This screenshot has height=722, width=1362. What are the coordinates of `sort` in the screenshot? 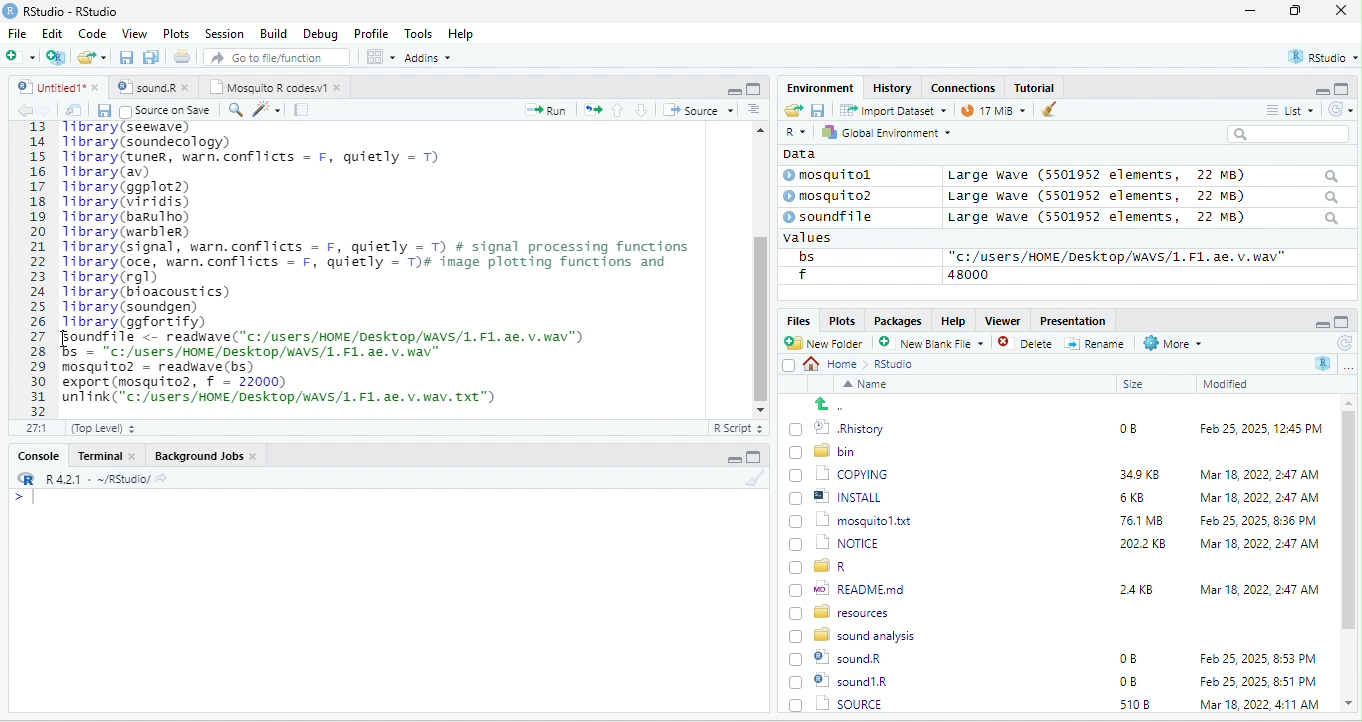 It's located at (753, 108).